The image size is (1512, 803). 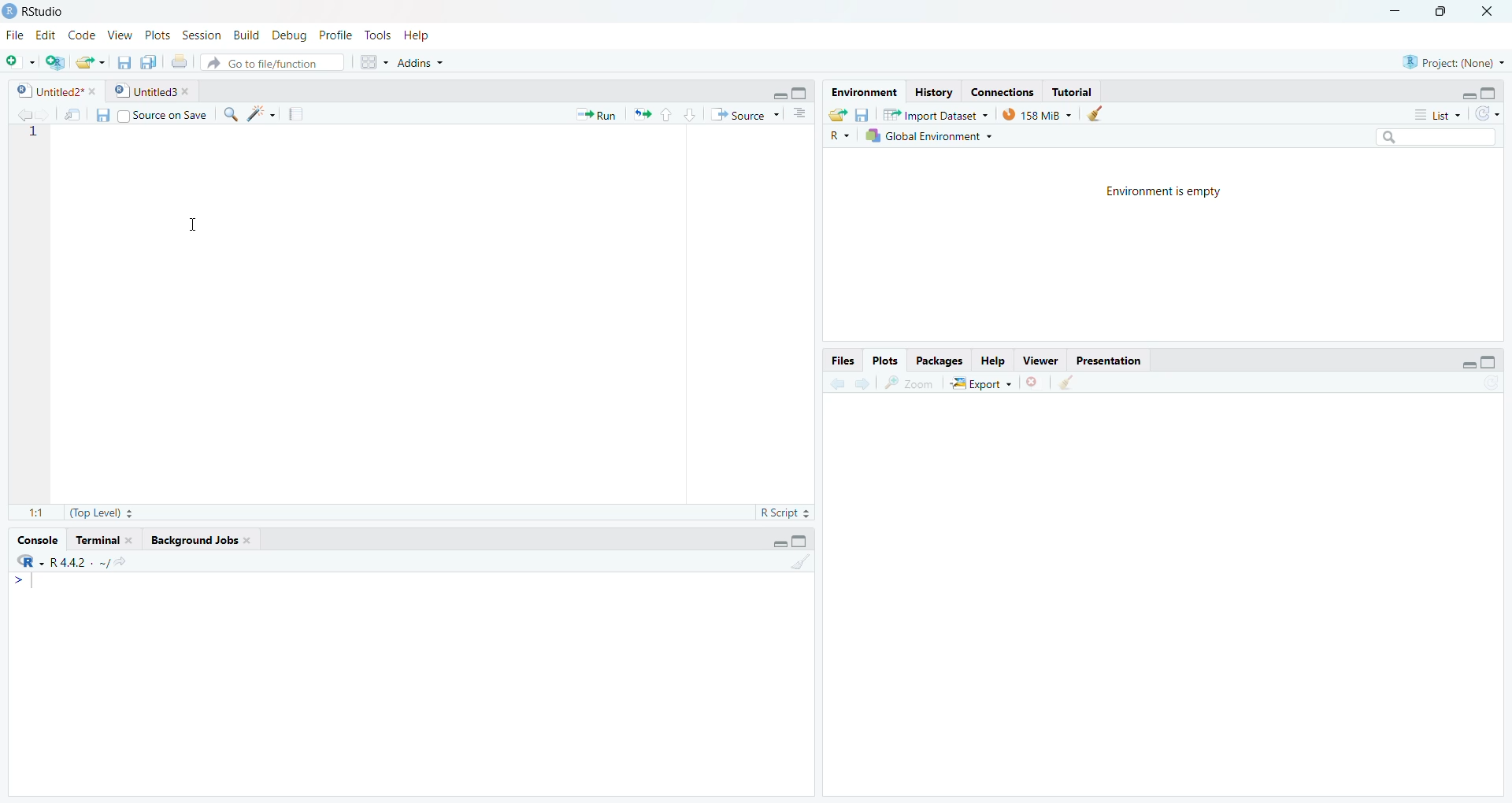 I want to click on Debug, so click(x=286, y=35).